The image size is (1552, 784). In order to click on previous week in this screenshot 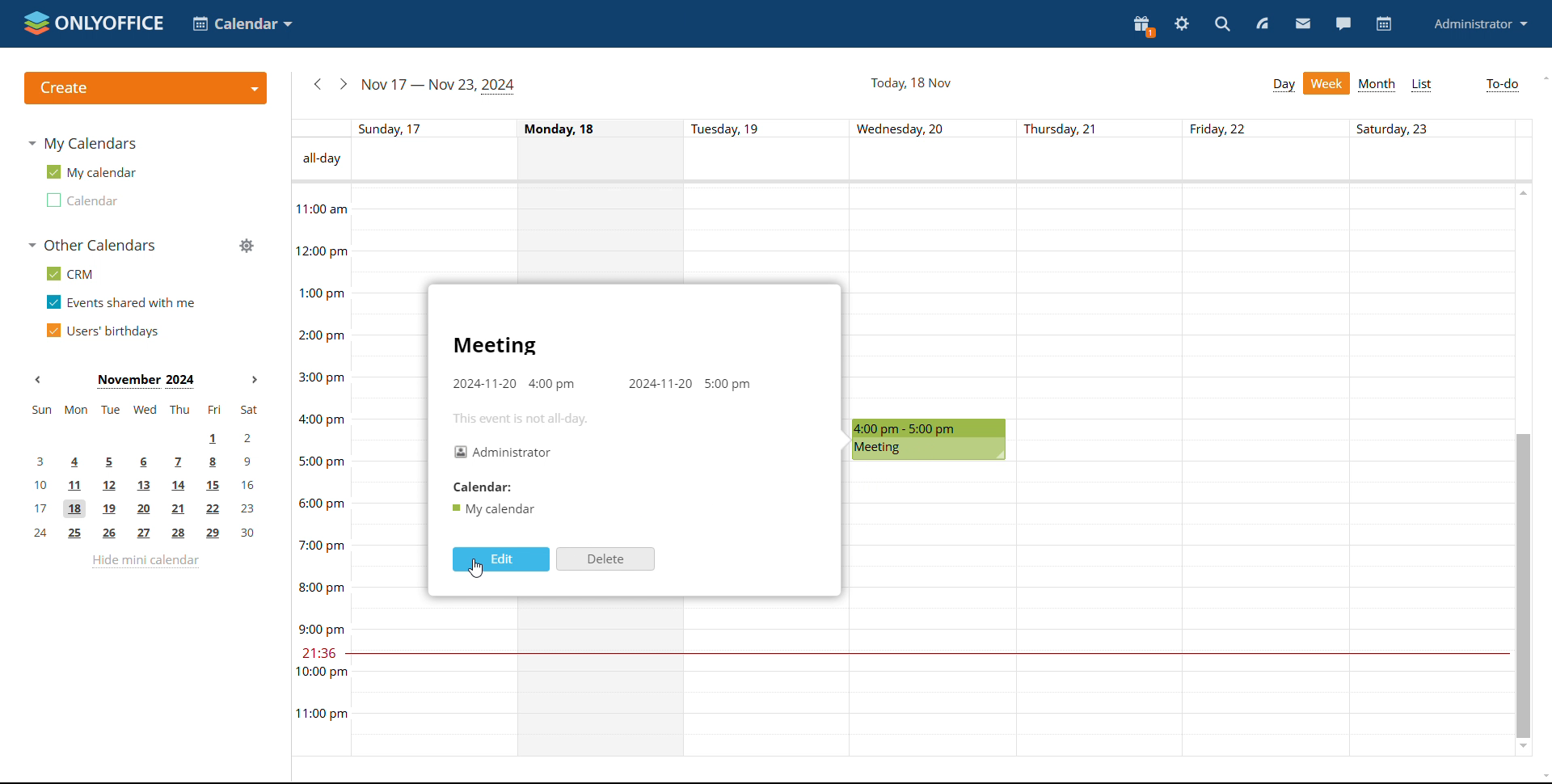, I will do `click(318, 84)`.